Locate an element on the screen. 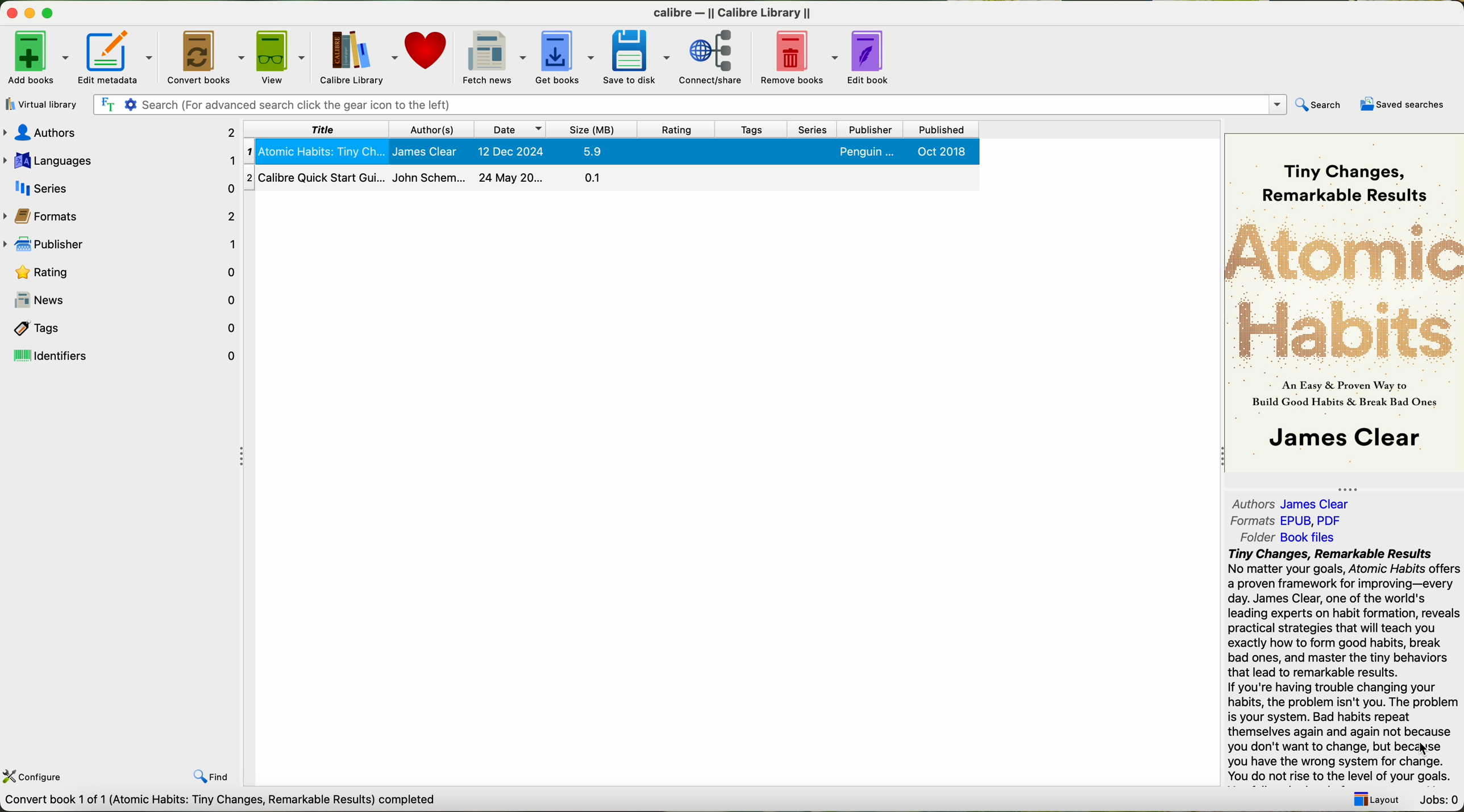  rating is located at coordinates (121, 270).